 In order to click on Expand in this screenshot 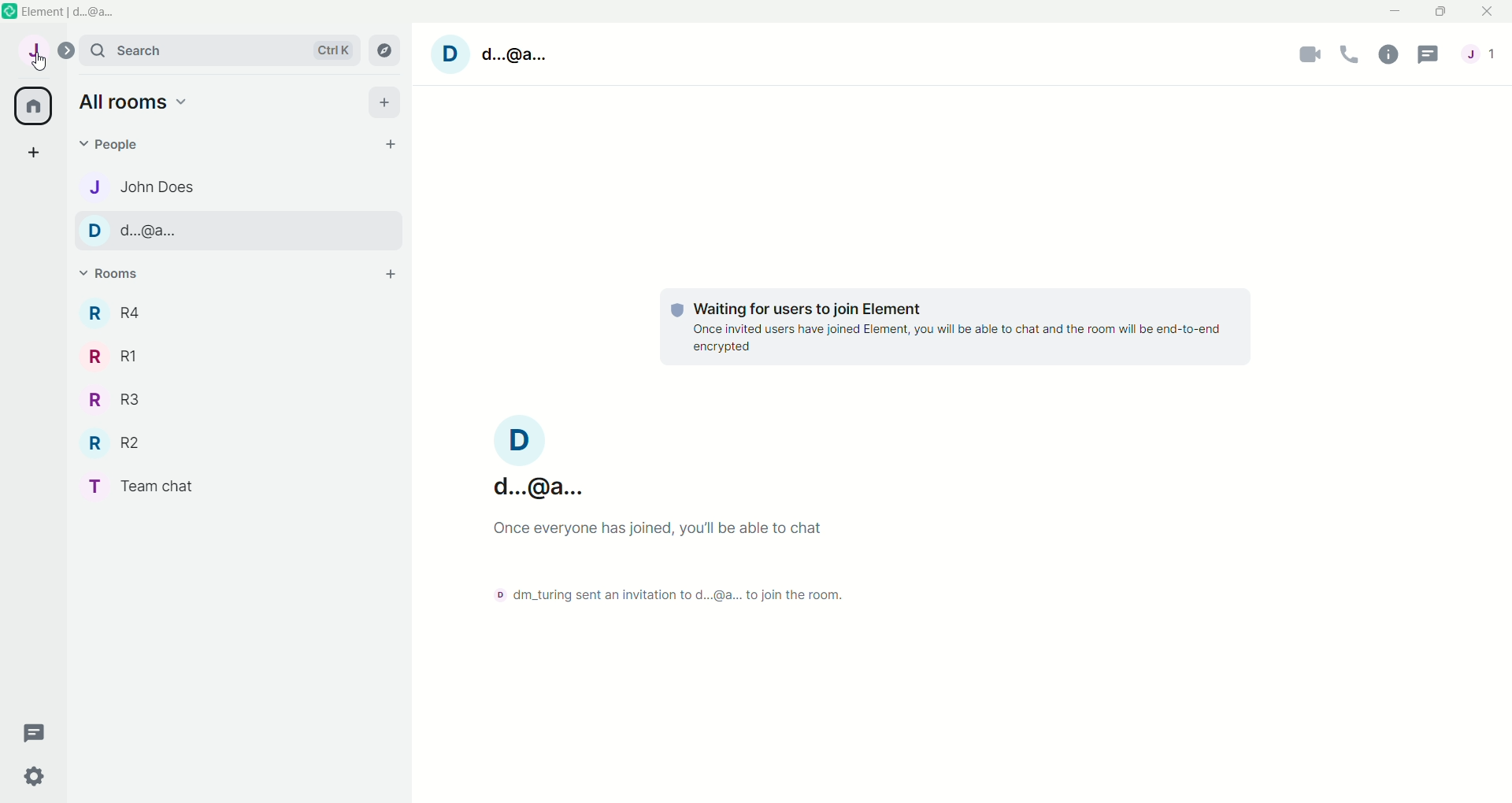, I will do `click(69, 49)`.